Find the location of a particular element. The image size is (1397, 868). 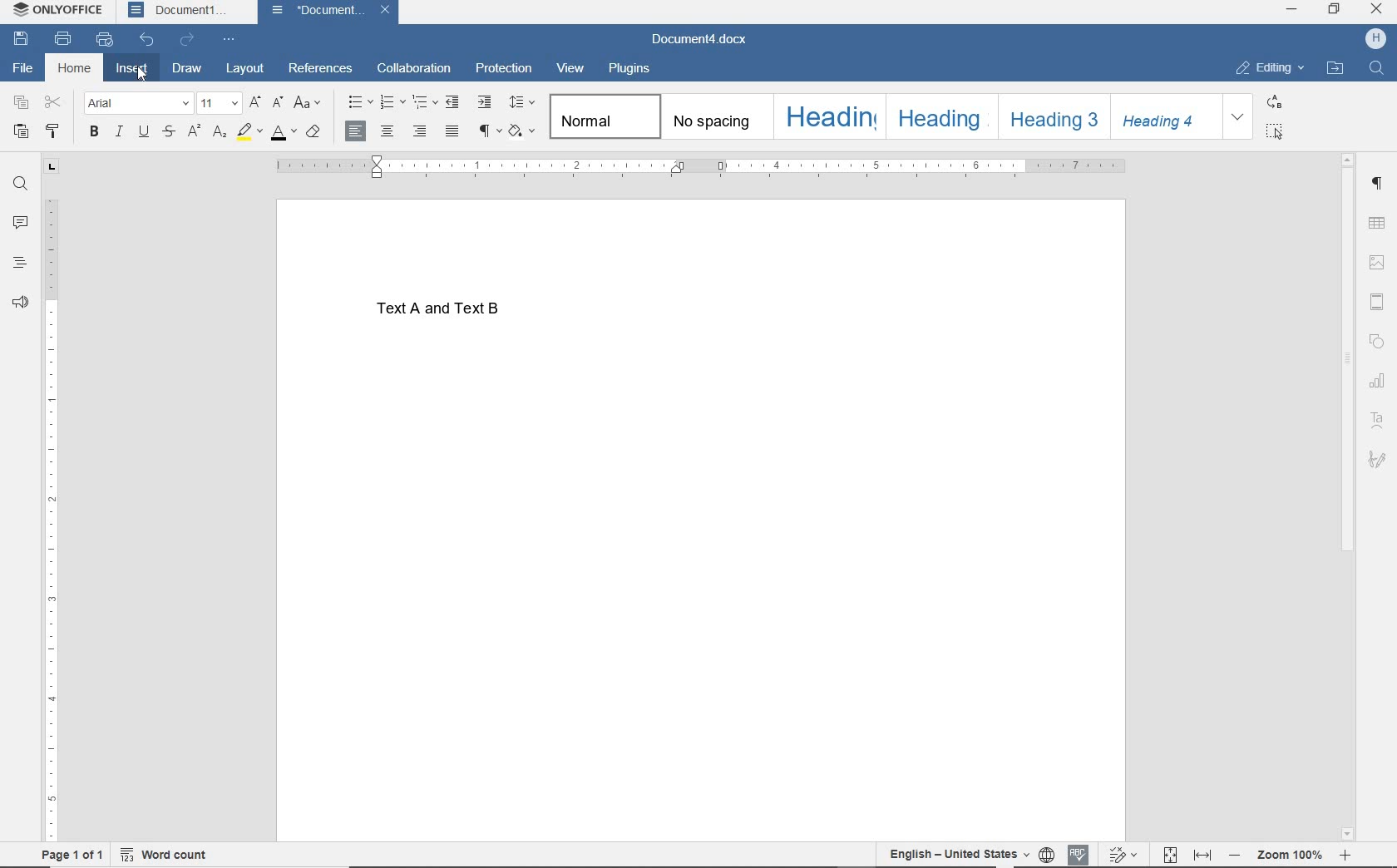

FONT COLOR is located at coordinates (284, 134).